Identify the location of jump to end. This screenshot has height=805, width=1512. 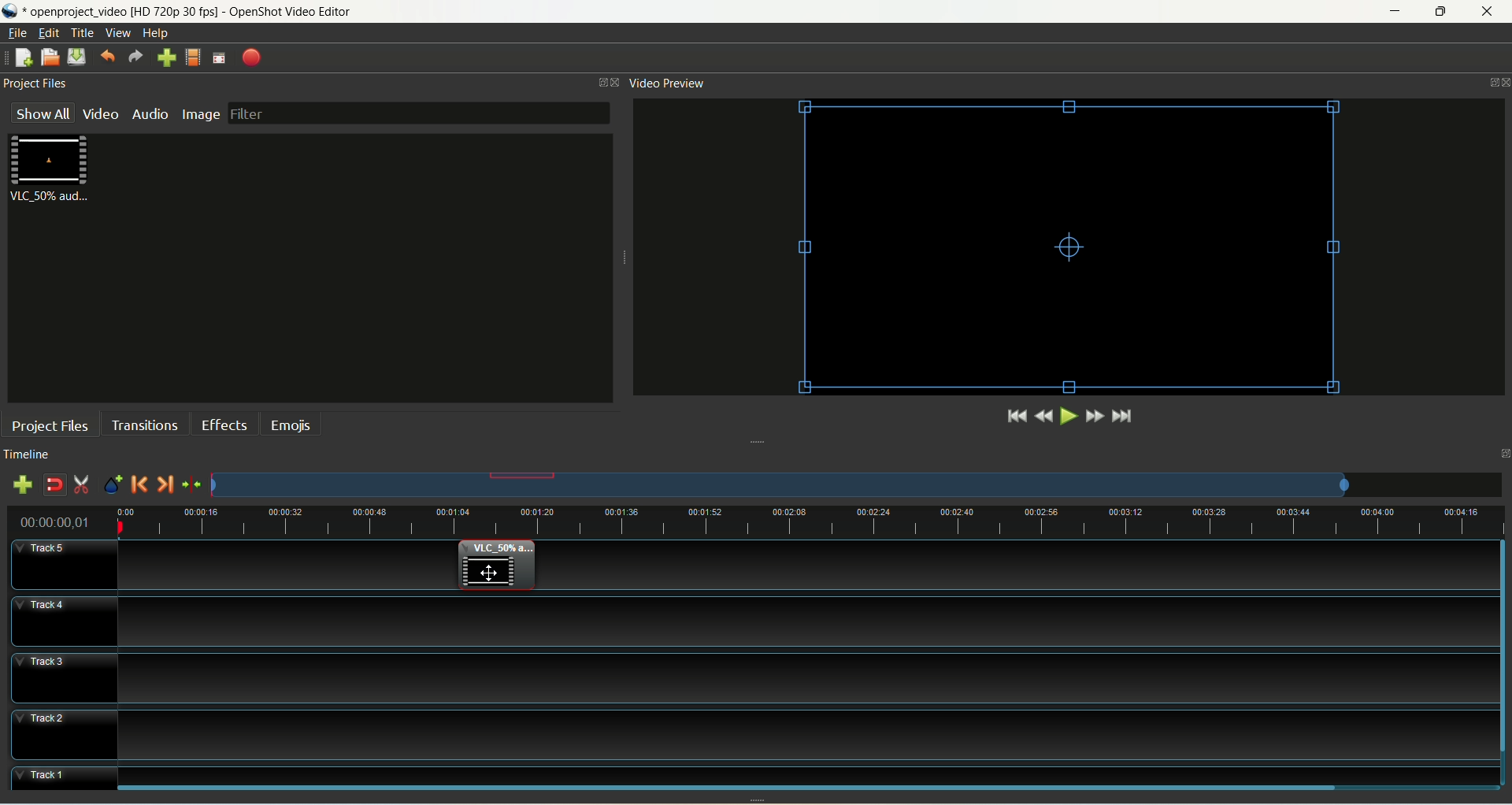
(1124, 417).